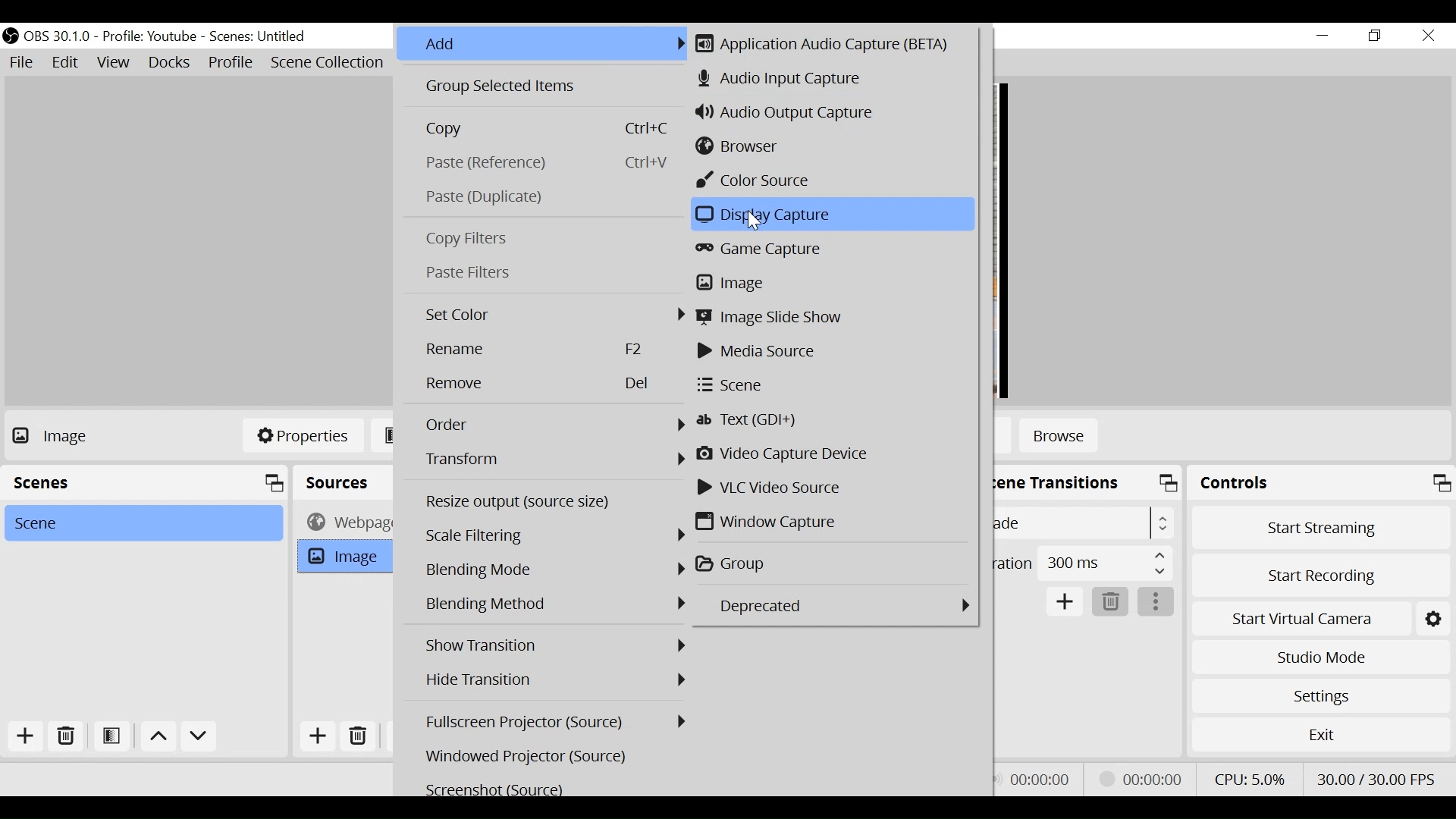  I want to click on Profile, so click(149, 37).